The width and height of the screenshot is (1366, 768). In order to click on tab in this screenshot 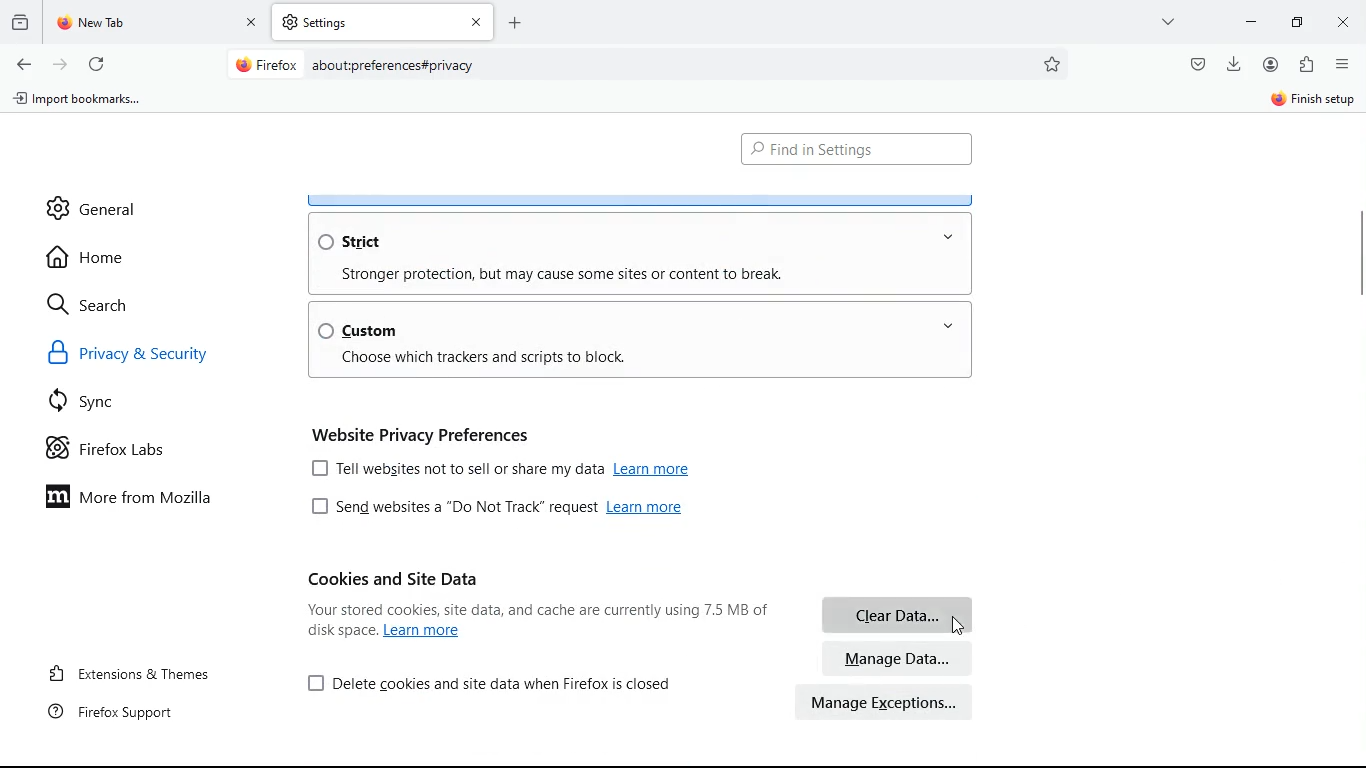, I will do `click(383, 22)`.